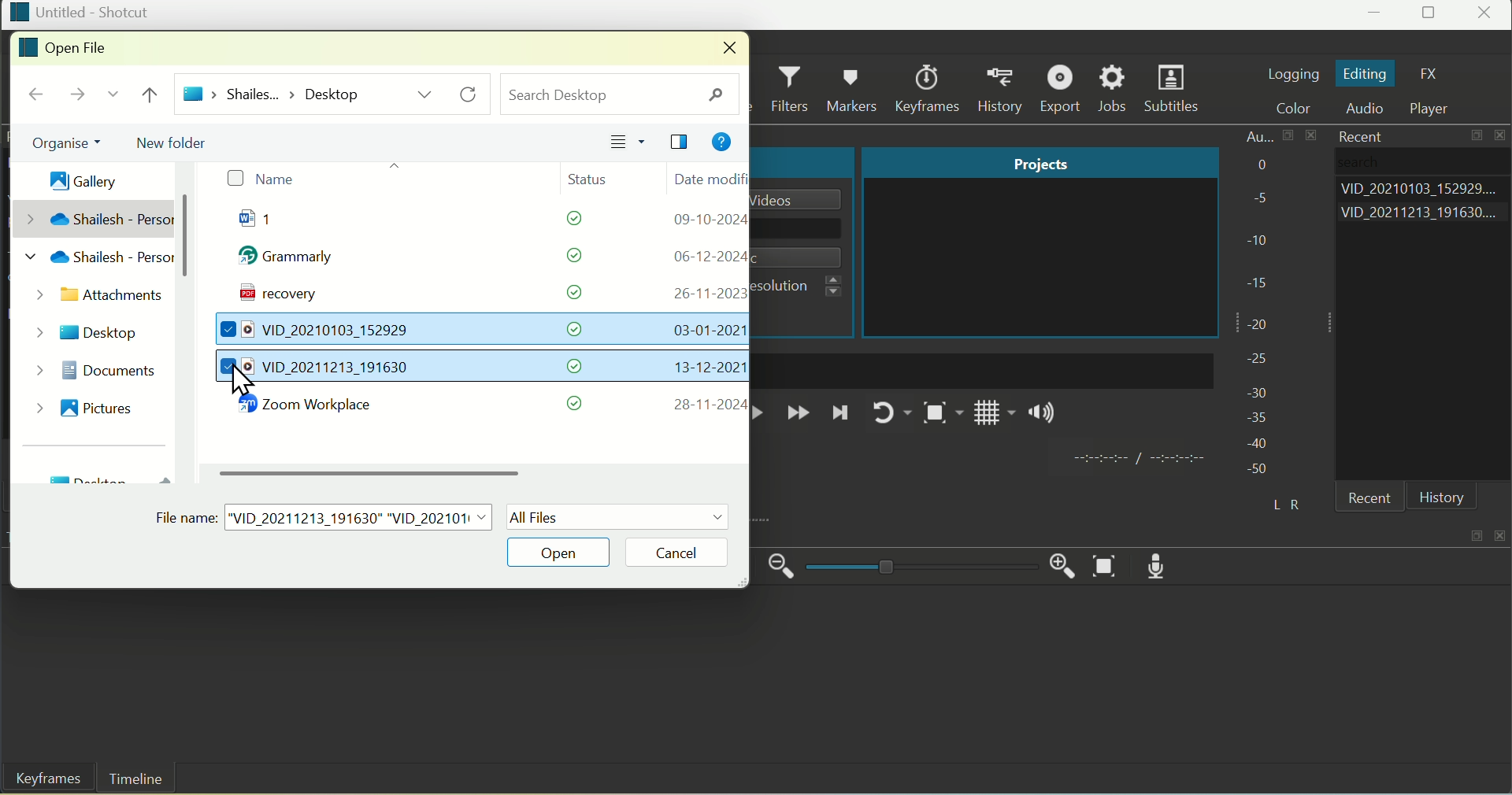 The width and height of the screenshot is (1512, 795). I want to click on Projects, so click(1039, 163).